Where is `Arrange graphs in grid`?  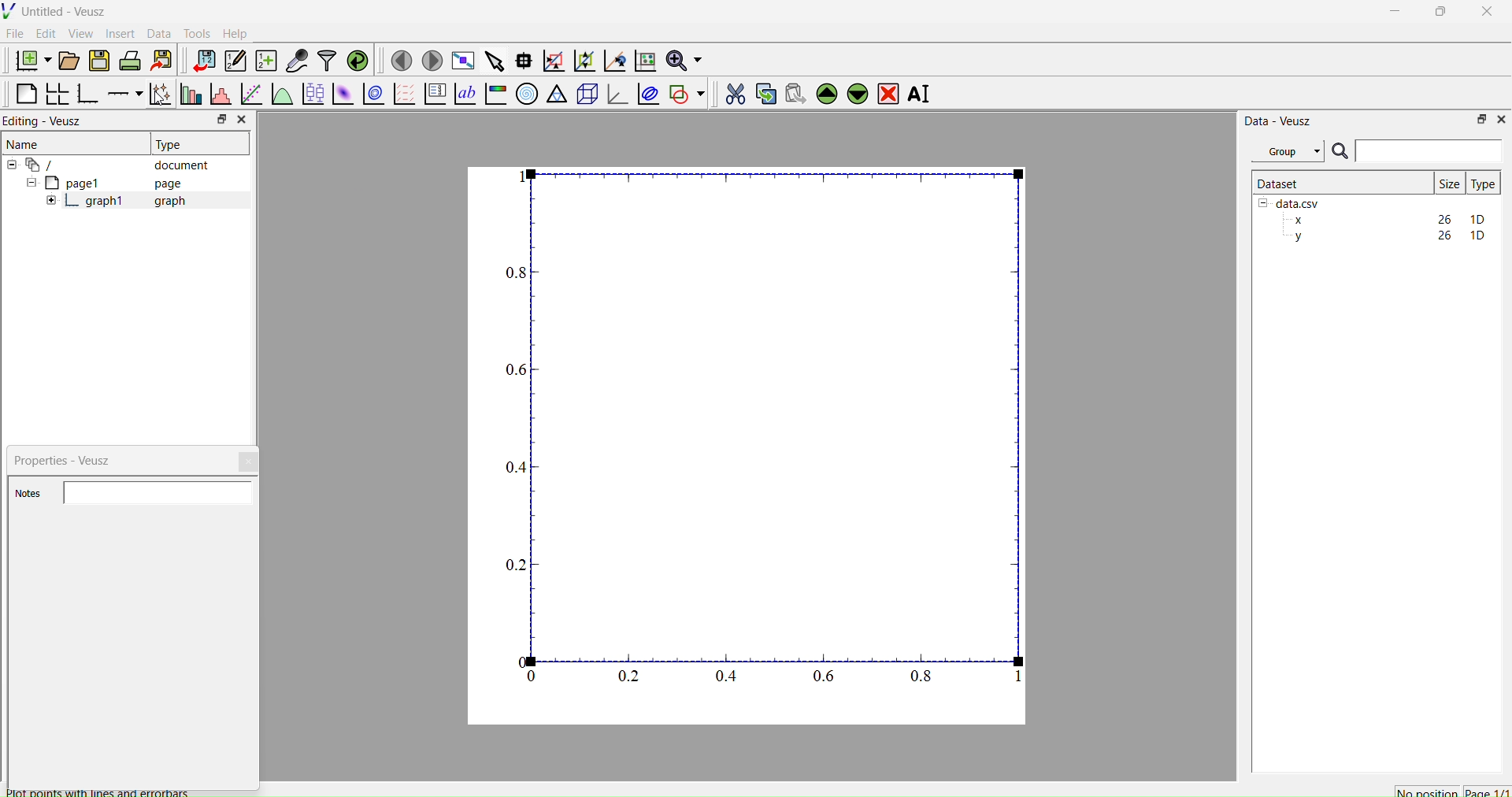 Arrange graphs in grid is located at coordinates (57, 95).